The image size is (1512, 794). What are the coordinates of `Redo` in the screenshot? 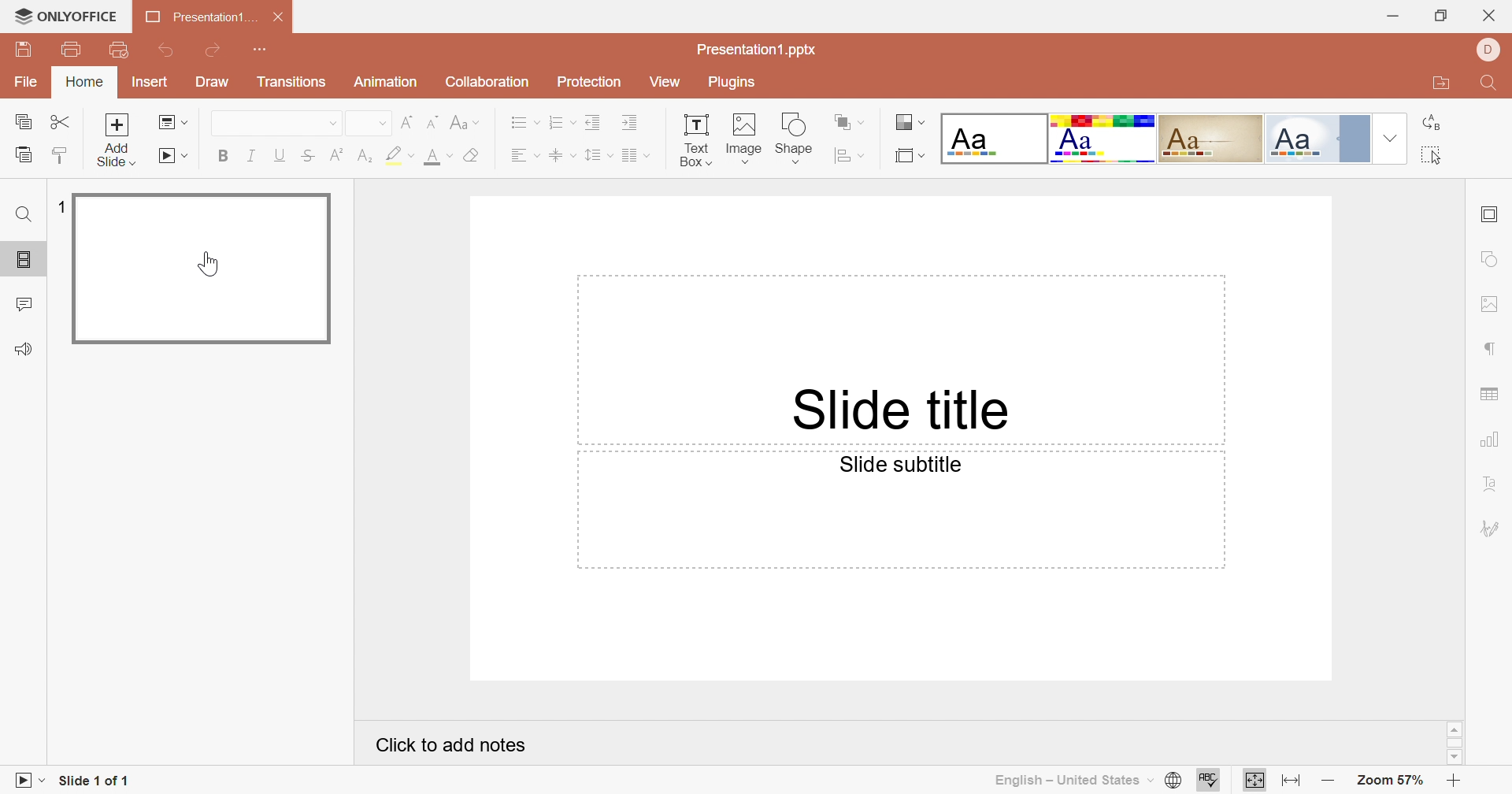 It's located at (217, 50).